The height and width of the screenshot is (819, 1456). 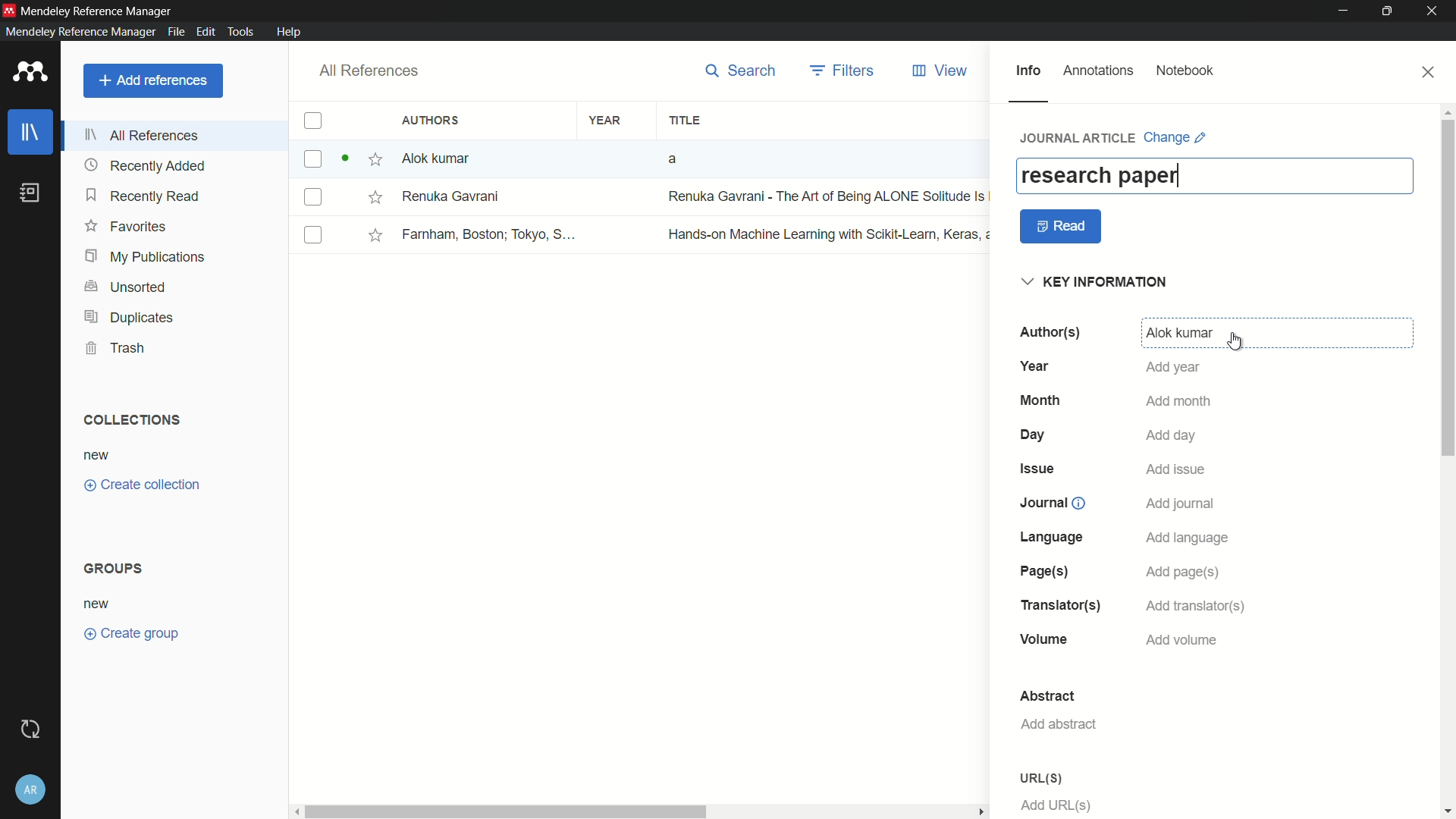 I want to click on add reference, so click(x=152, y=80).